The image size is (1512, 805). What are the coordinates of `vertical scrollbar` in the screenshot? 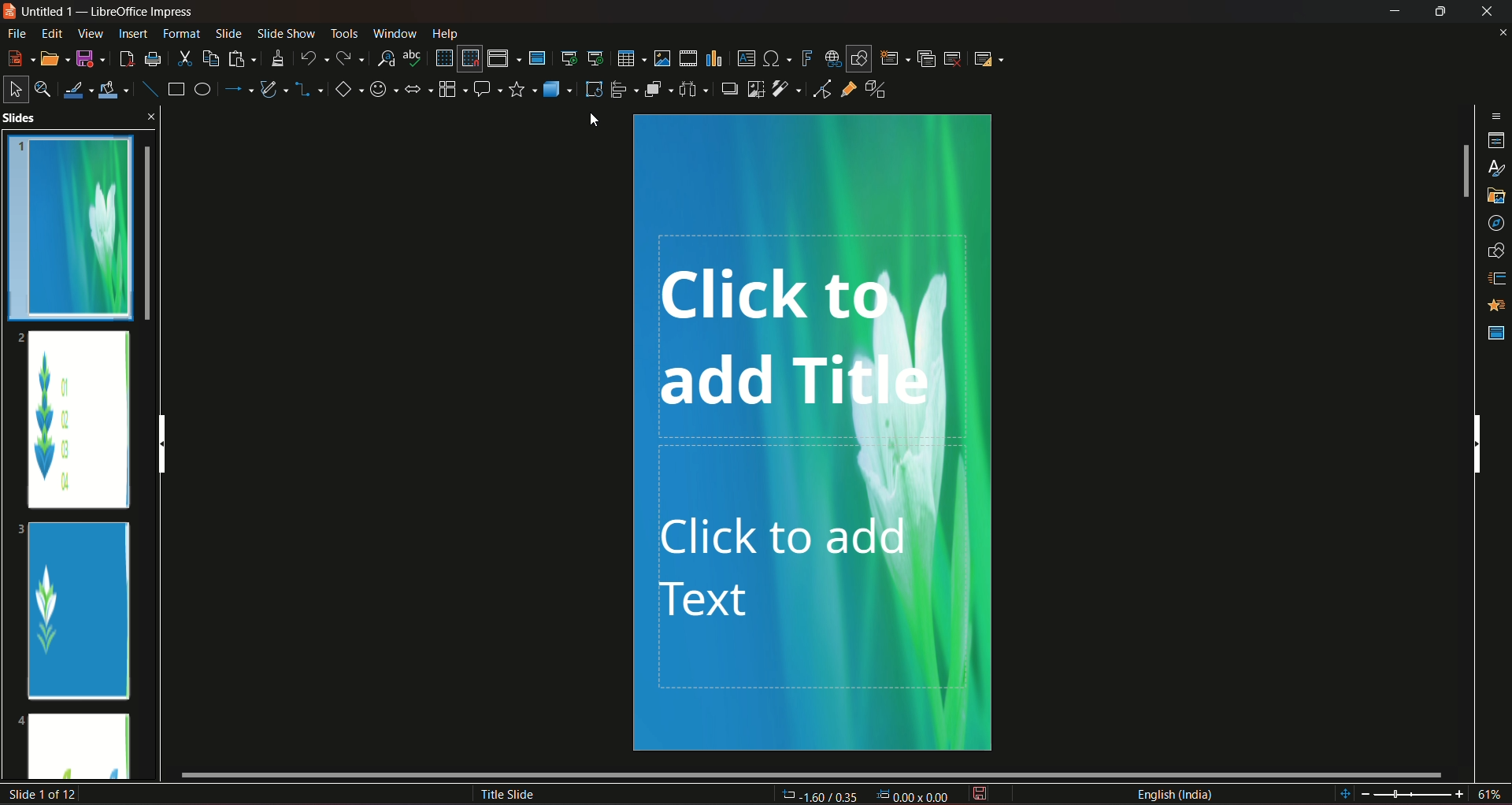 It's located at (1477, 442).